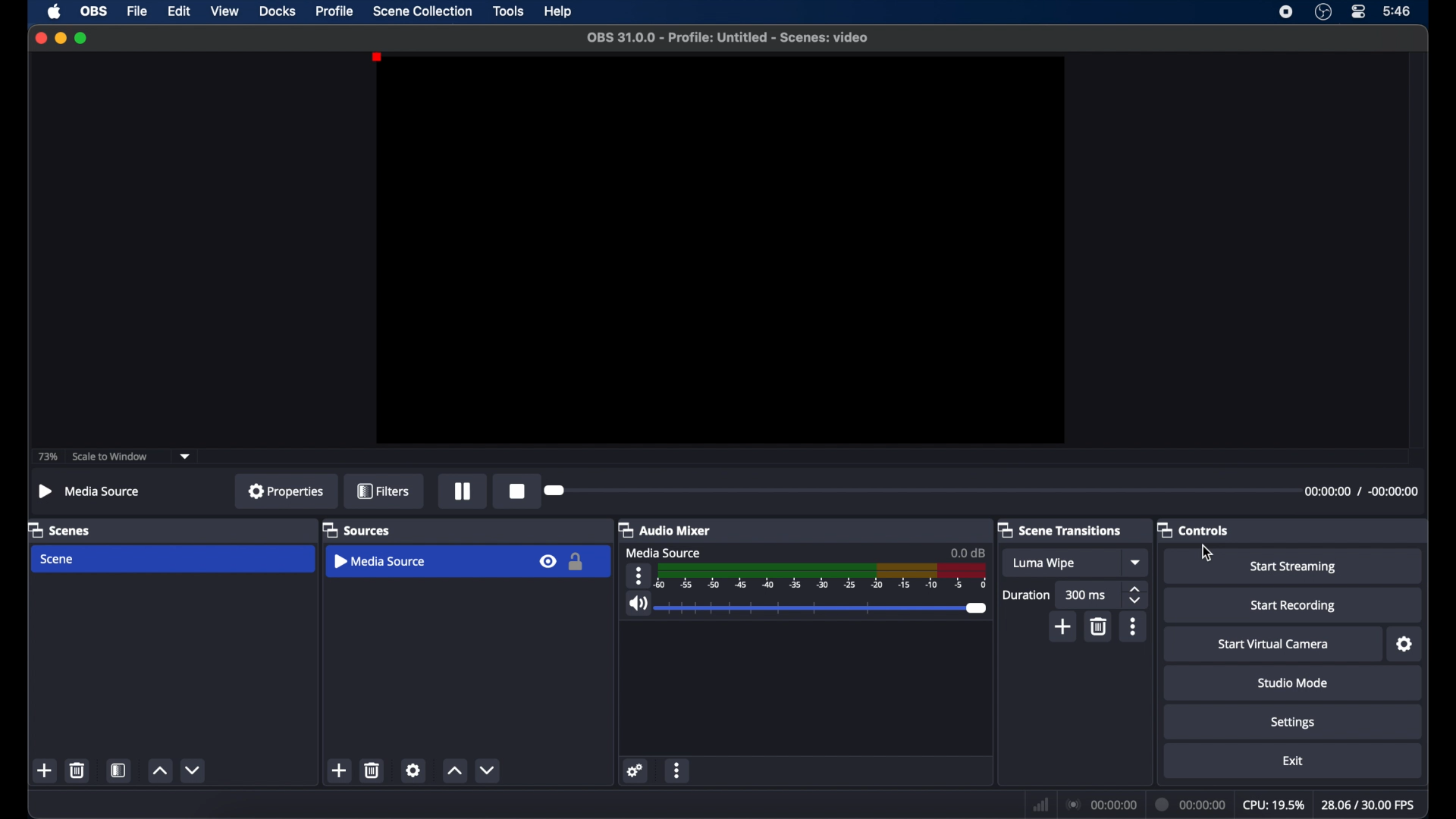  What do you see at coordinates (560, 11) in the screenshot?
I see `help` at bounding box center [560, 11].